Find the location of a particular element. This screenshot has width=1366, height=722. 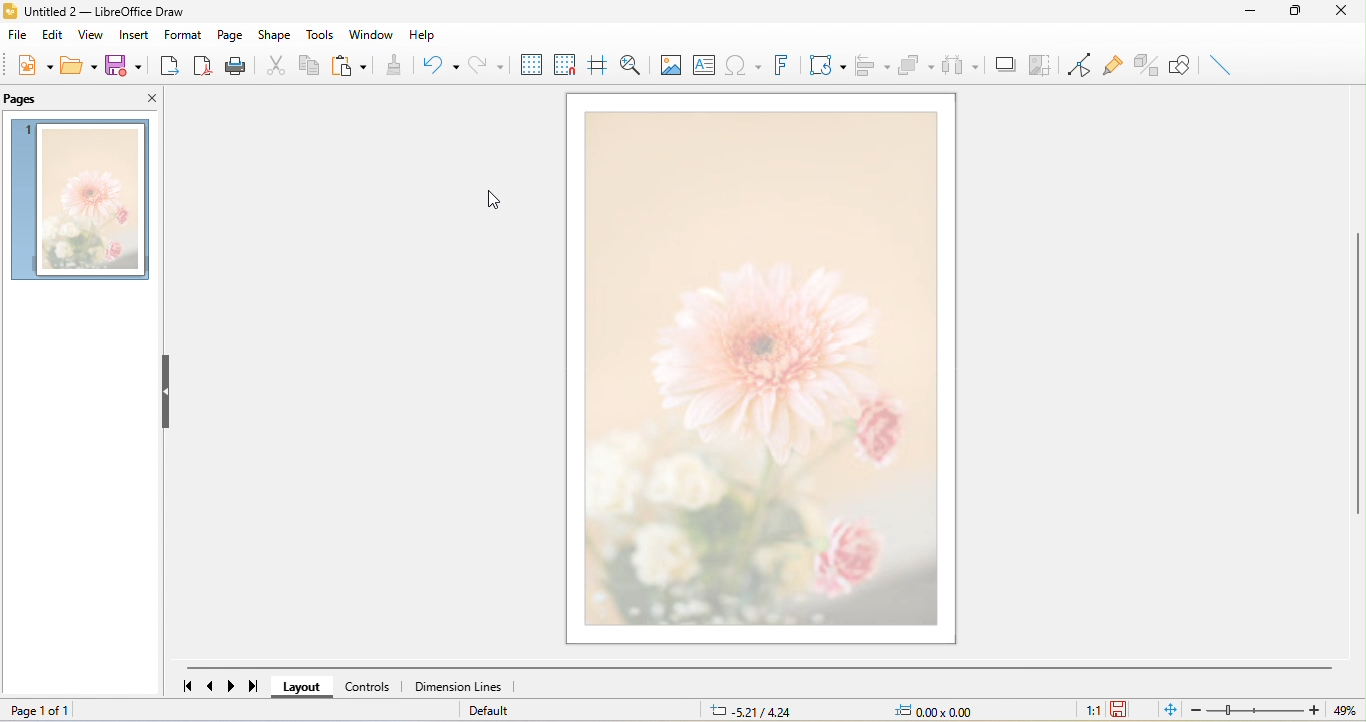

show draw function is located at coordinates (1181, 65).